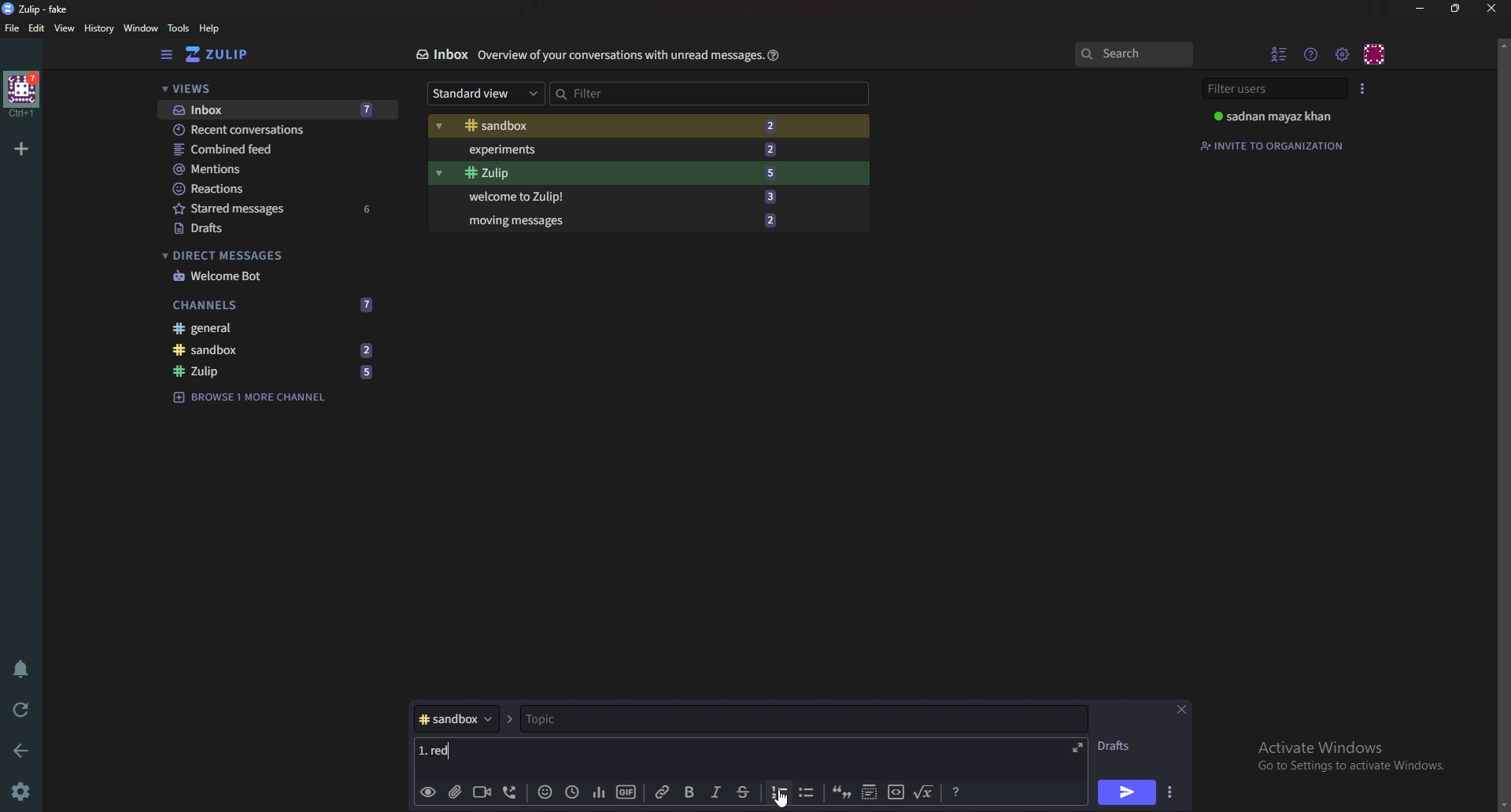 Image resolution: width=1511 pixels, height=812 pixels. What do you see at coordinates (784, 799) in the screenshot?
I see `Cursor` at bounding box center [784, 799].